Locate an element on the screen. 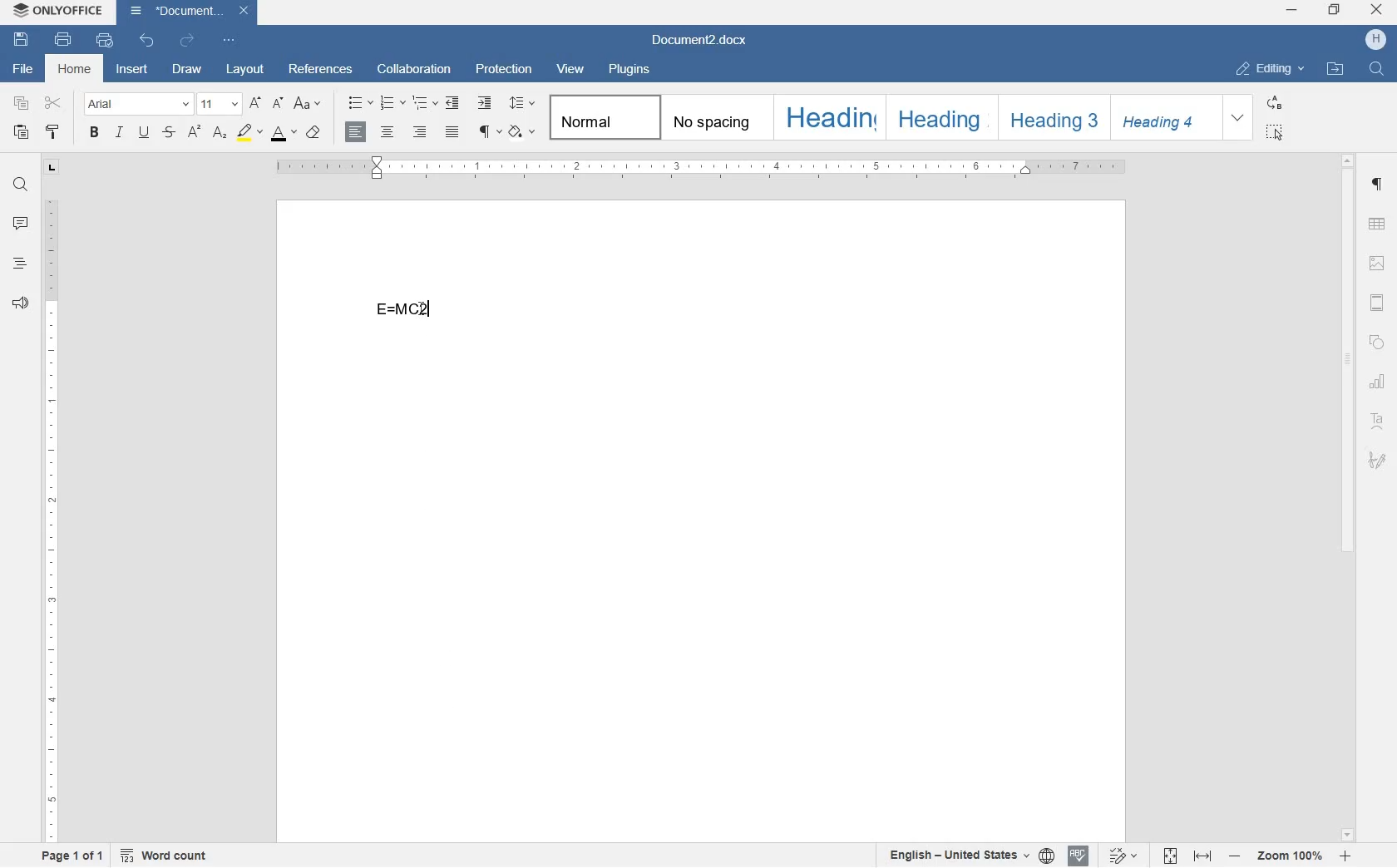 The height and width of the screenshot is (868, 1397). Heading 3 is located at coordinates (1051, 116).